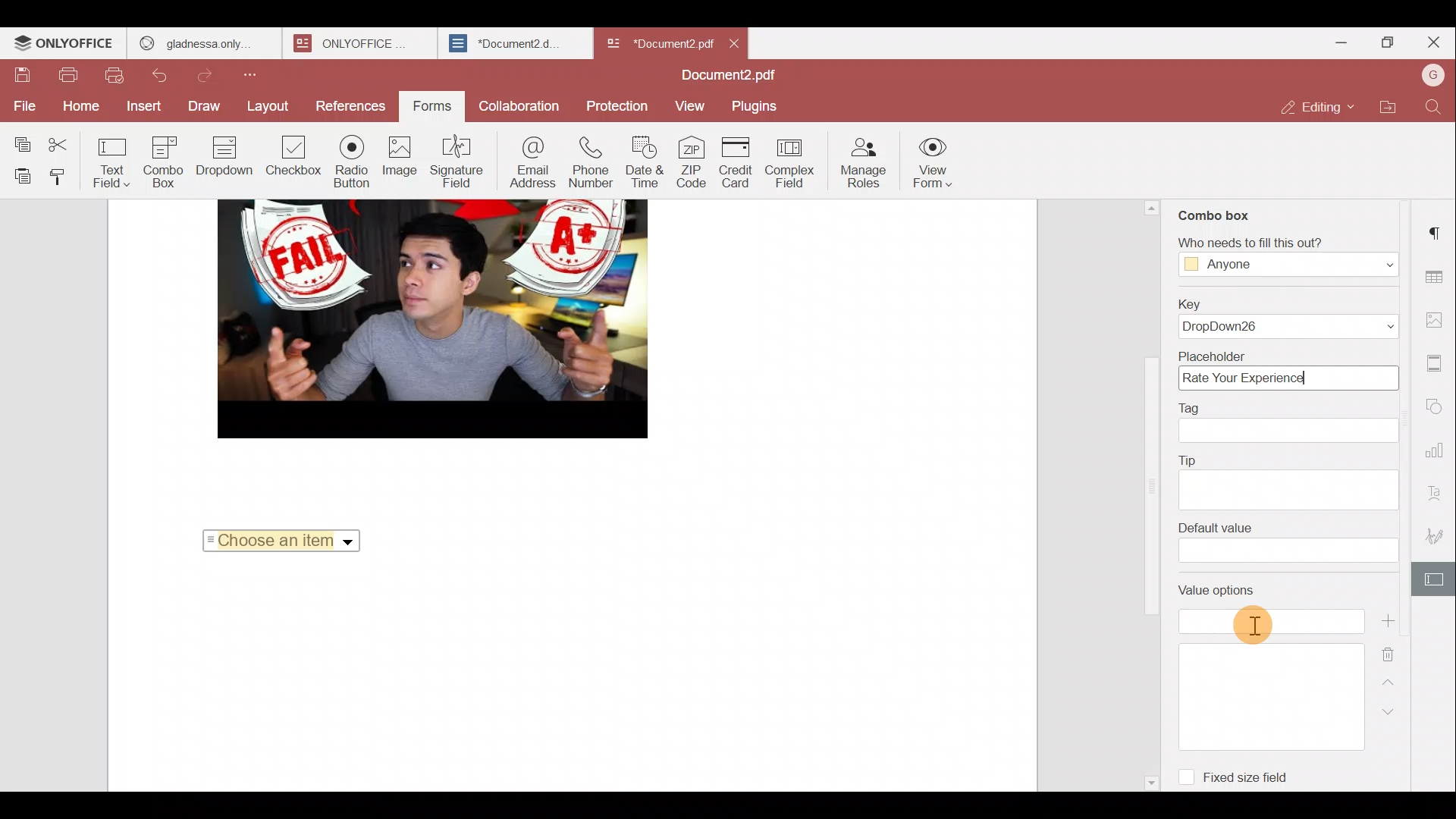 Image resolution: width=1456 pixels, height=819 pixels. What do you see at coordinates (350, 43) in the screenshot?
I see `ONLYOFFICE` at bounding box center [350, 43].